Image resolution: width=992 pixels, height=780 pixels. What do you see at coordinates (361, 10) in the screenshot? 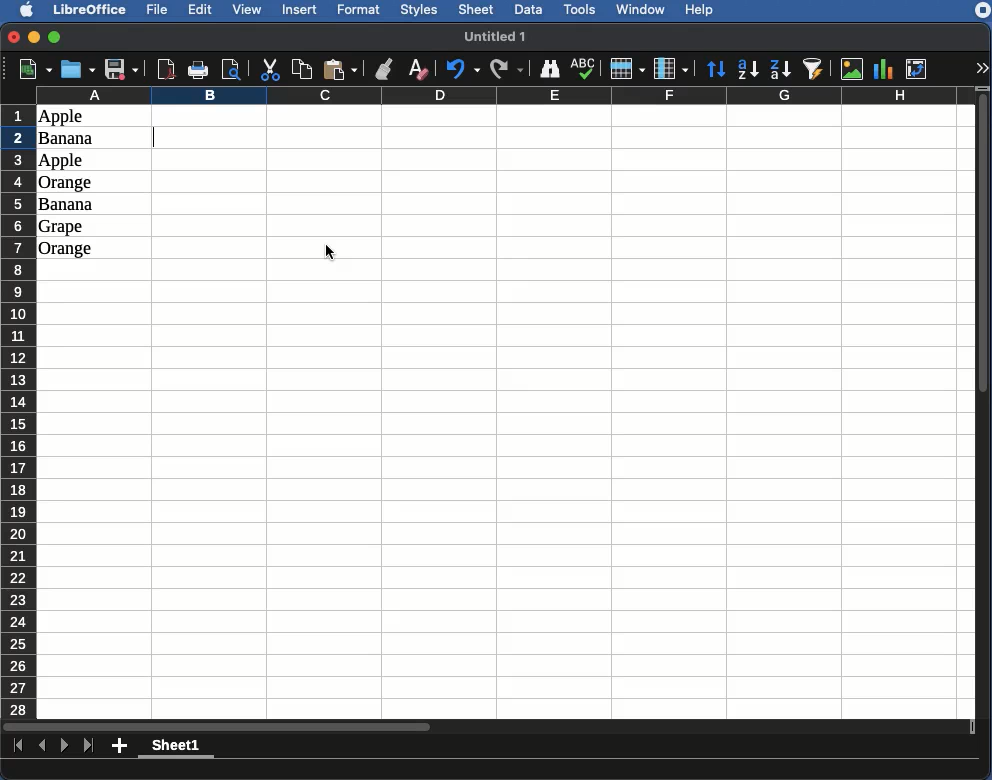
I see `Format` at bounding box center [361, 10].